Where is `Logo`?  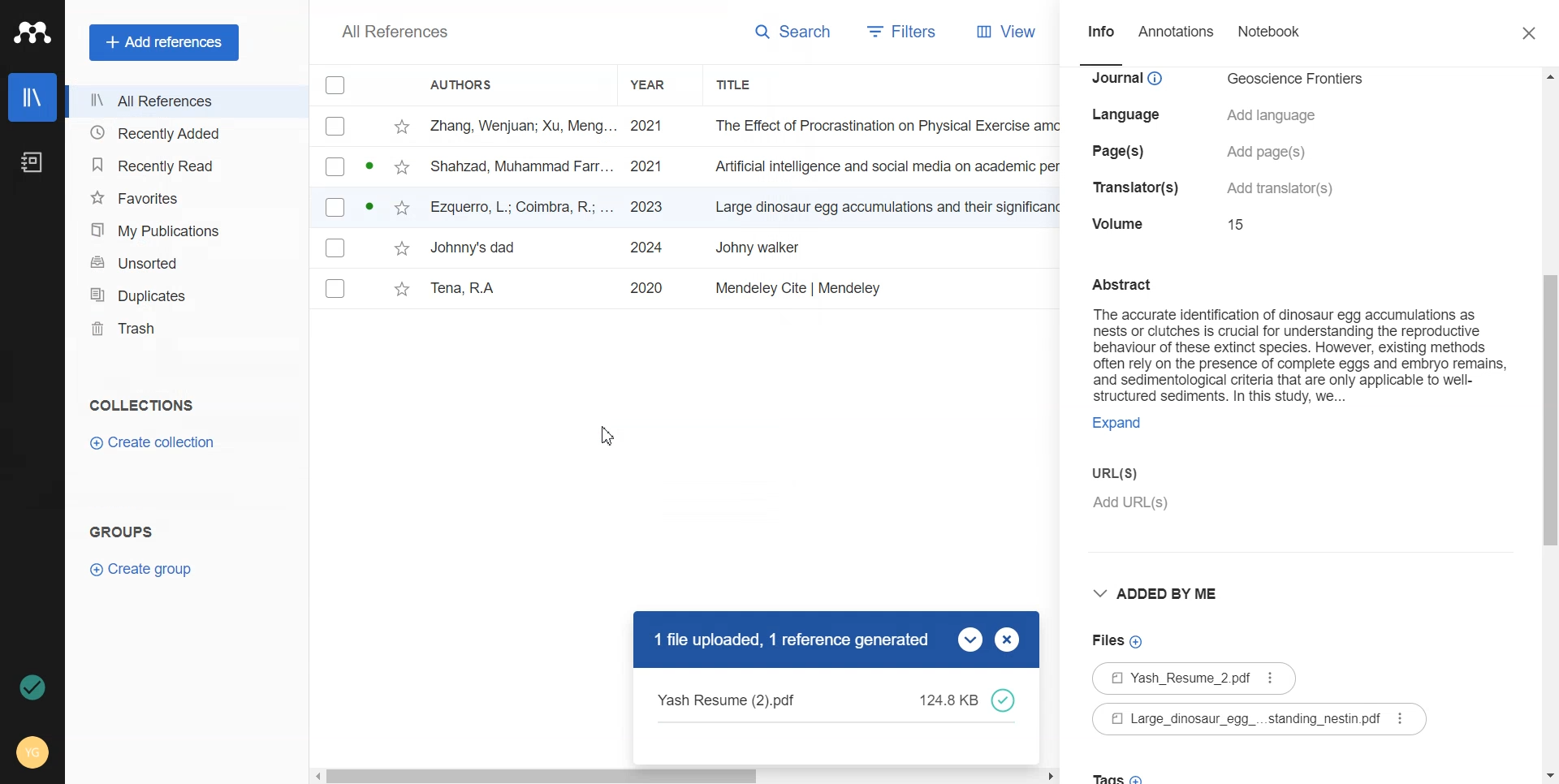
Logo is located at coordinates (33, 32).